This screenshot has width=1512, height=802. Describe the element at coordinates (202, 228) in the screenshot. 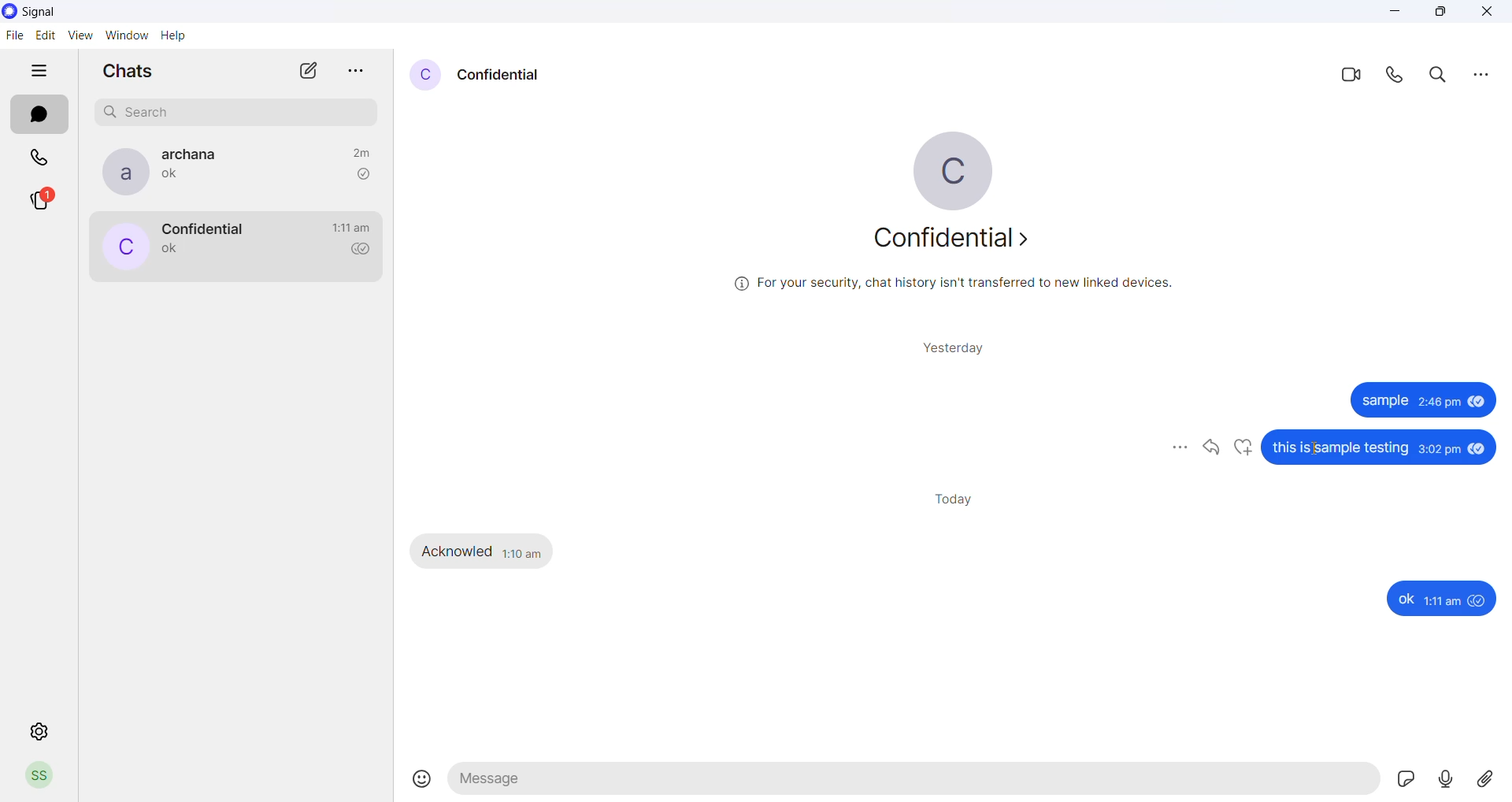

I see `contact name` at that location.